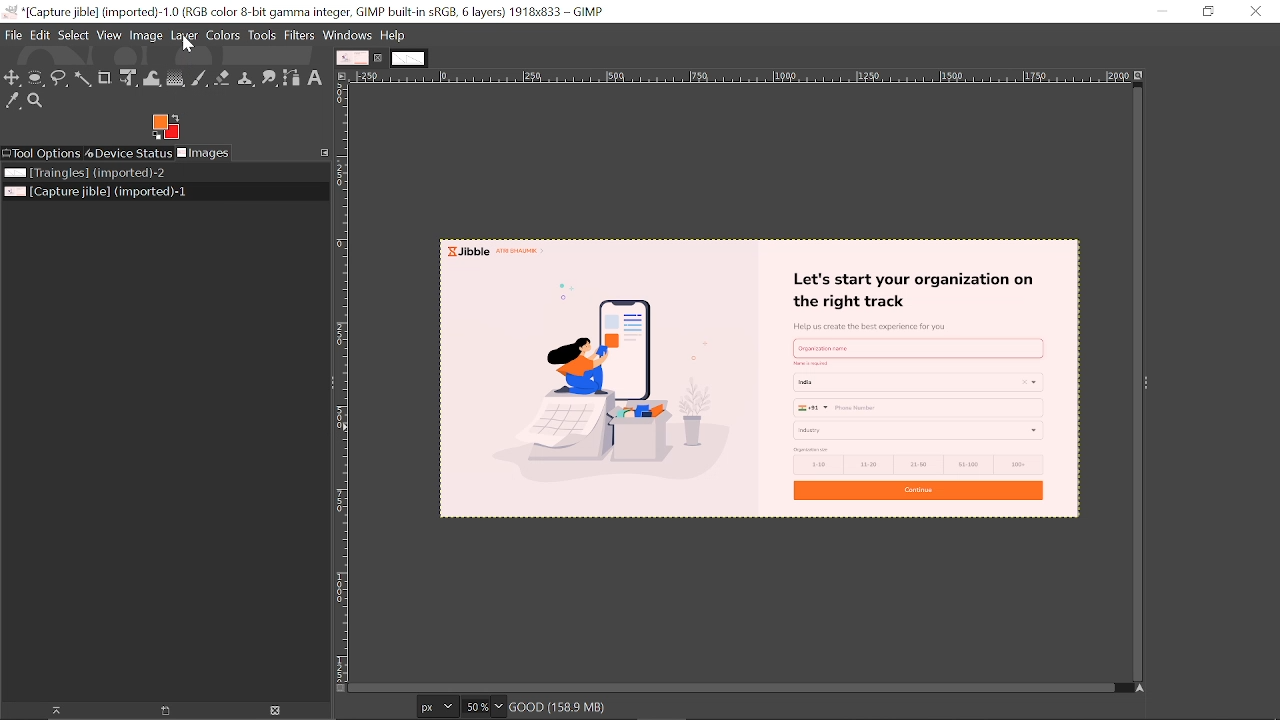  Describe the element at coordinates (393, 35) in the screenshot. I see `` at that location.